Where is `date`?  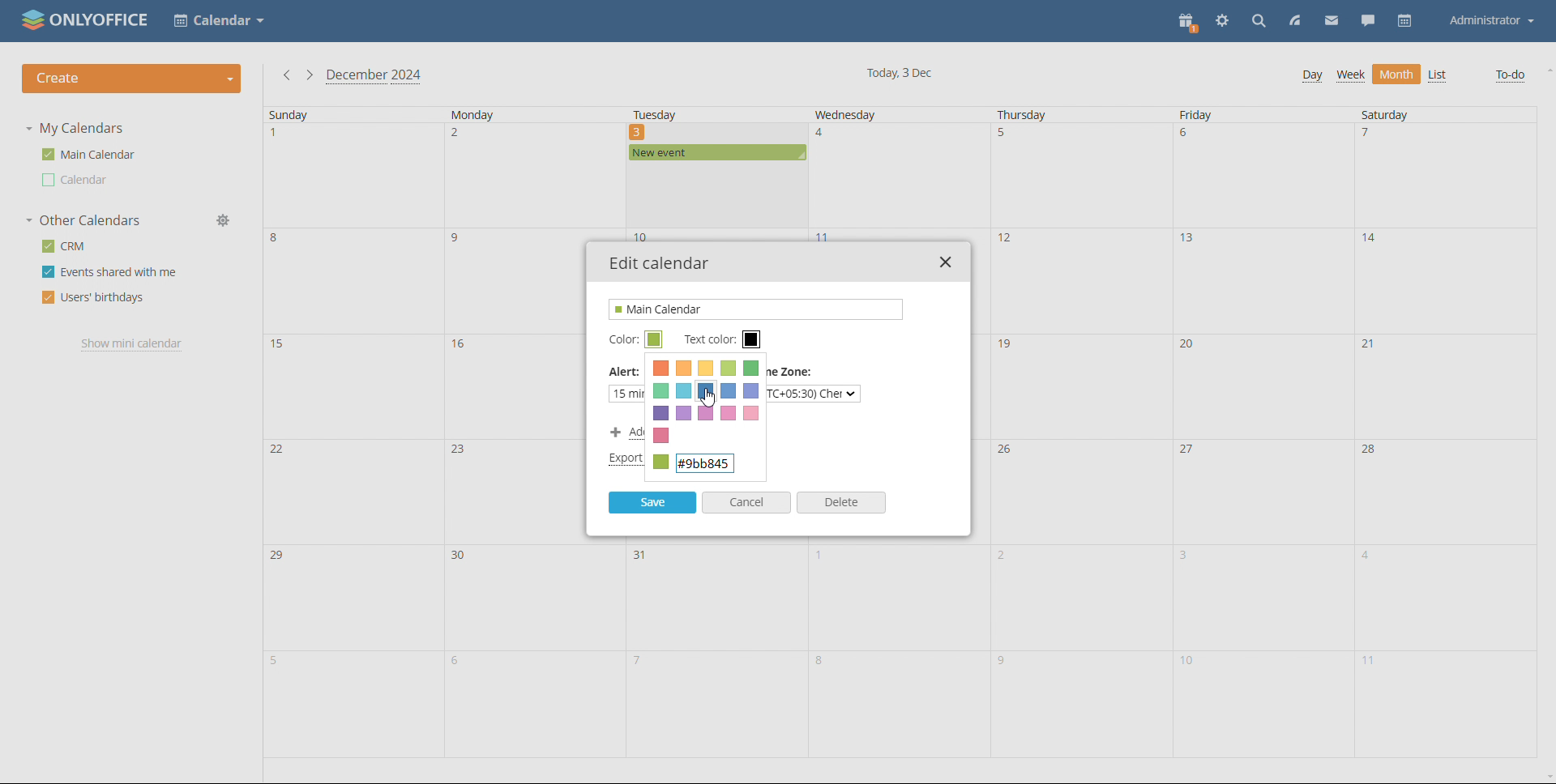
date is located at coordinates (1261, 598).